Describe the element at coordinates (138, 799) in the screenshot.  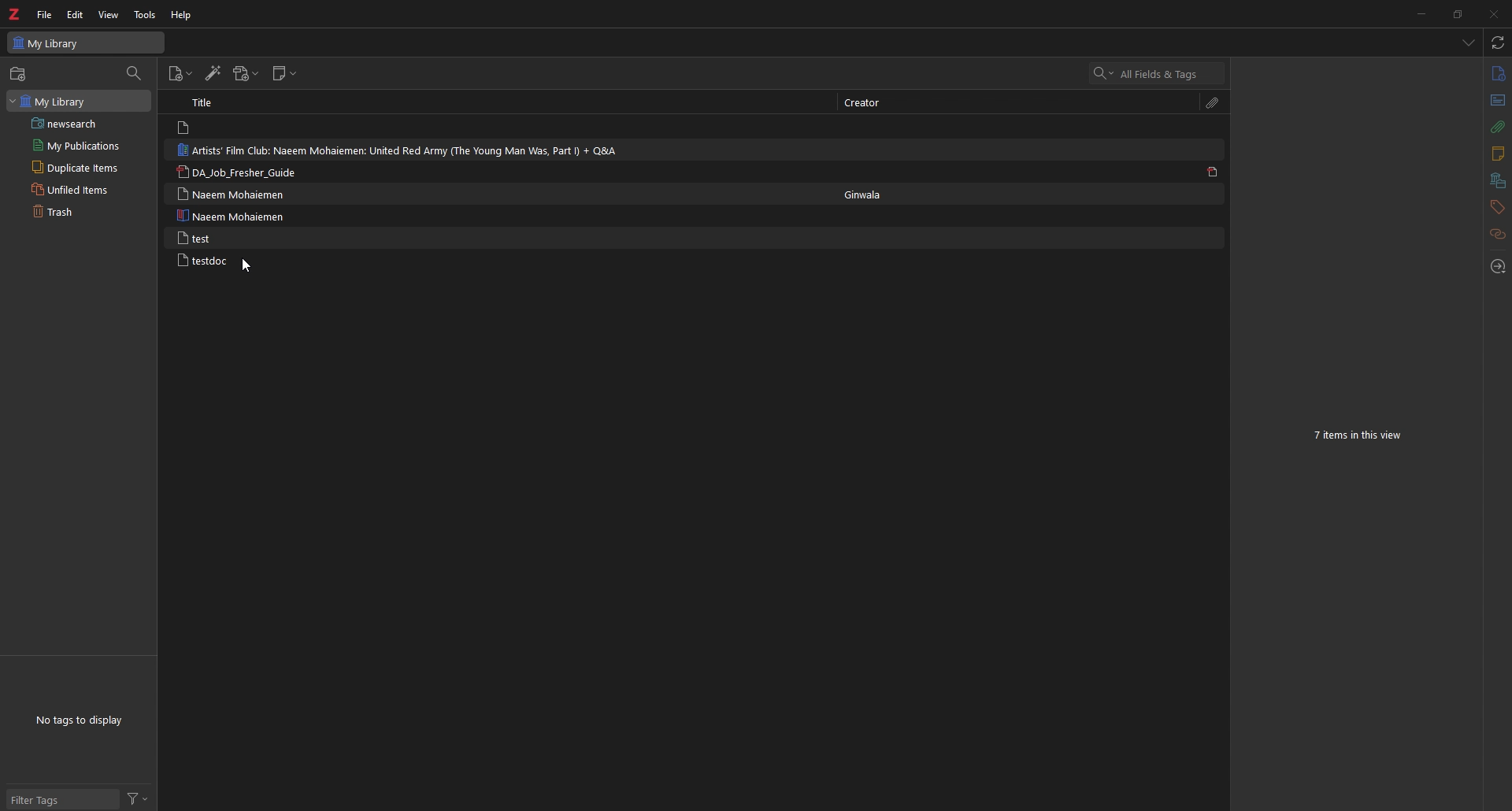
I see `filter` at that location.